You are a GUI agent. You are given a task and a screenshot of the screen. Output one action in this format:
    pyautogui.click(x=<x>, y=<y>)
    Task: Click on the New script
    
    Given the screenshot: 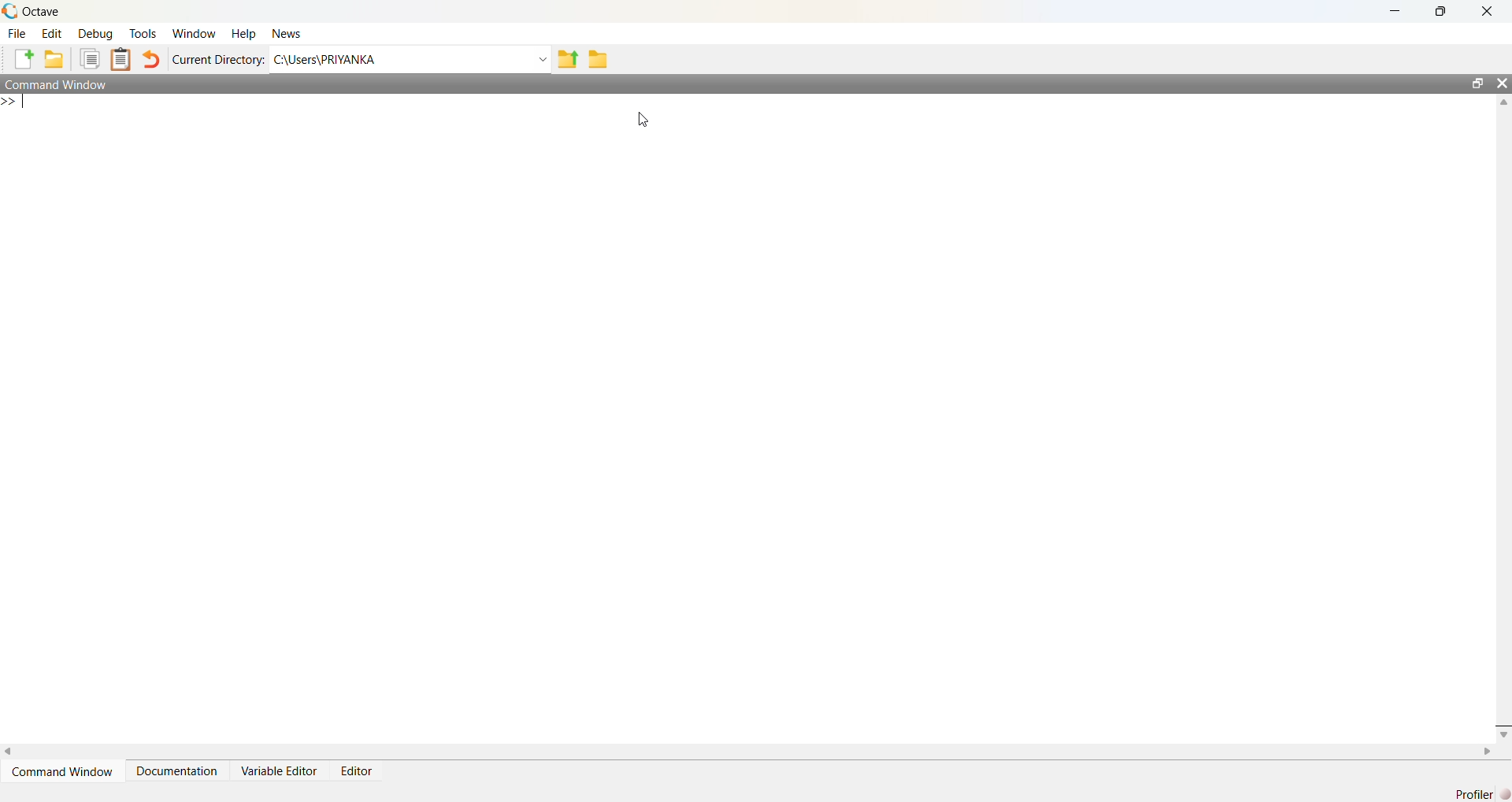 What is the action you would take?
    pyautogui.click(x=24, y=58)
    